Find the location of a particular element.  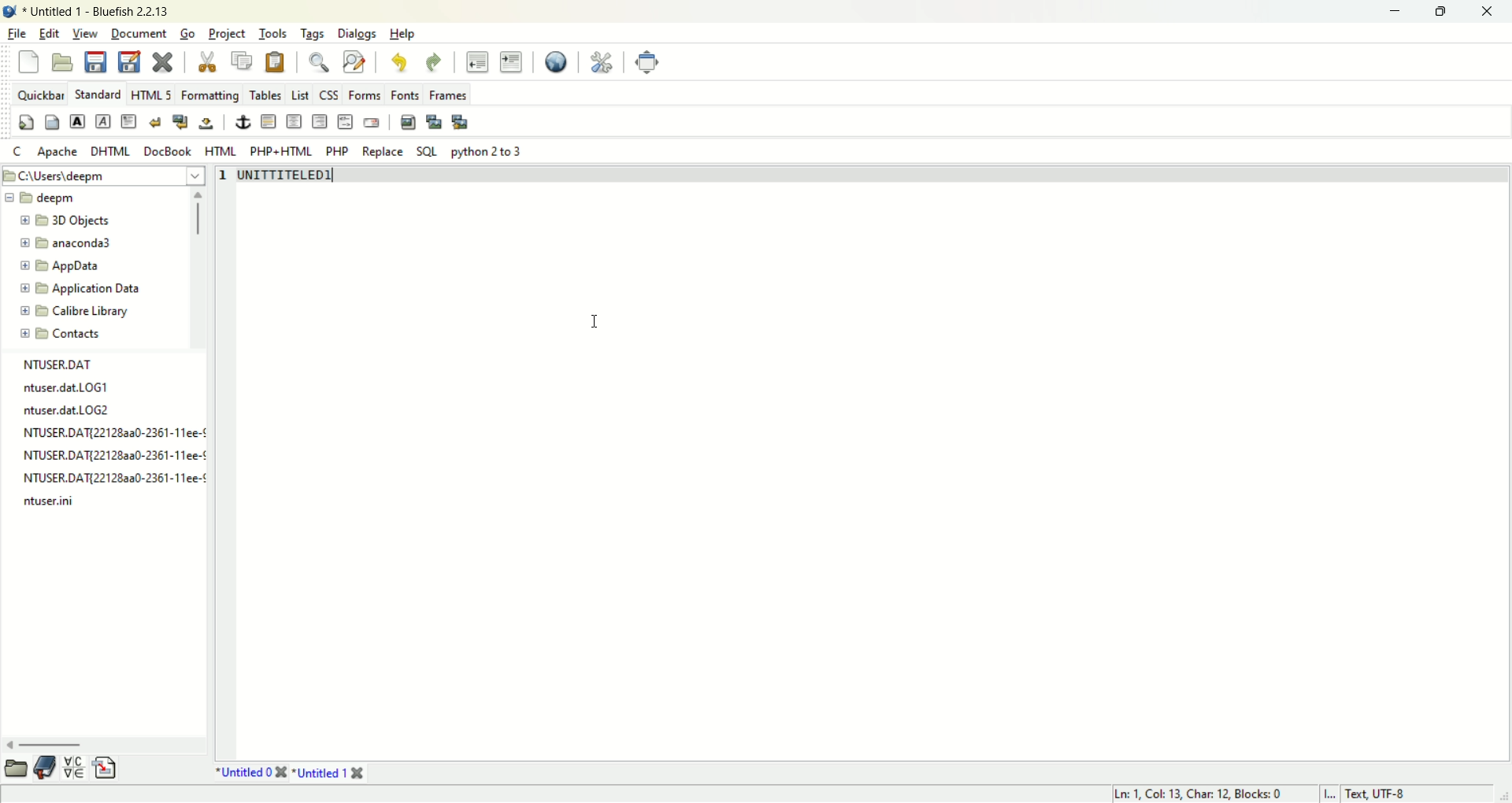

save as is located at coordinates (129, 61).